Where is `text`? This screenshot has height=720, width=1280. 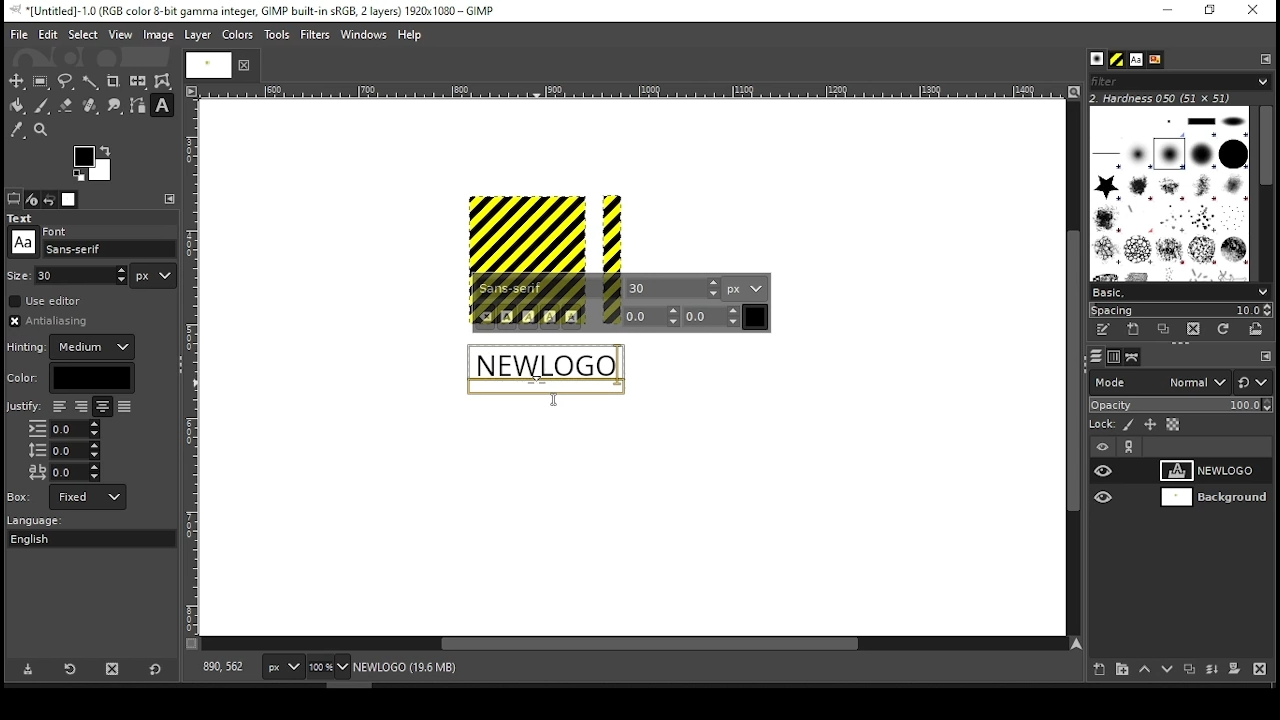 text is located at coordinates (544, 369).